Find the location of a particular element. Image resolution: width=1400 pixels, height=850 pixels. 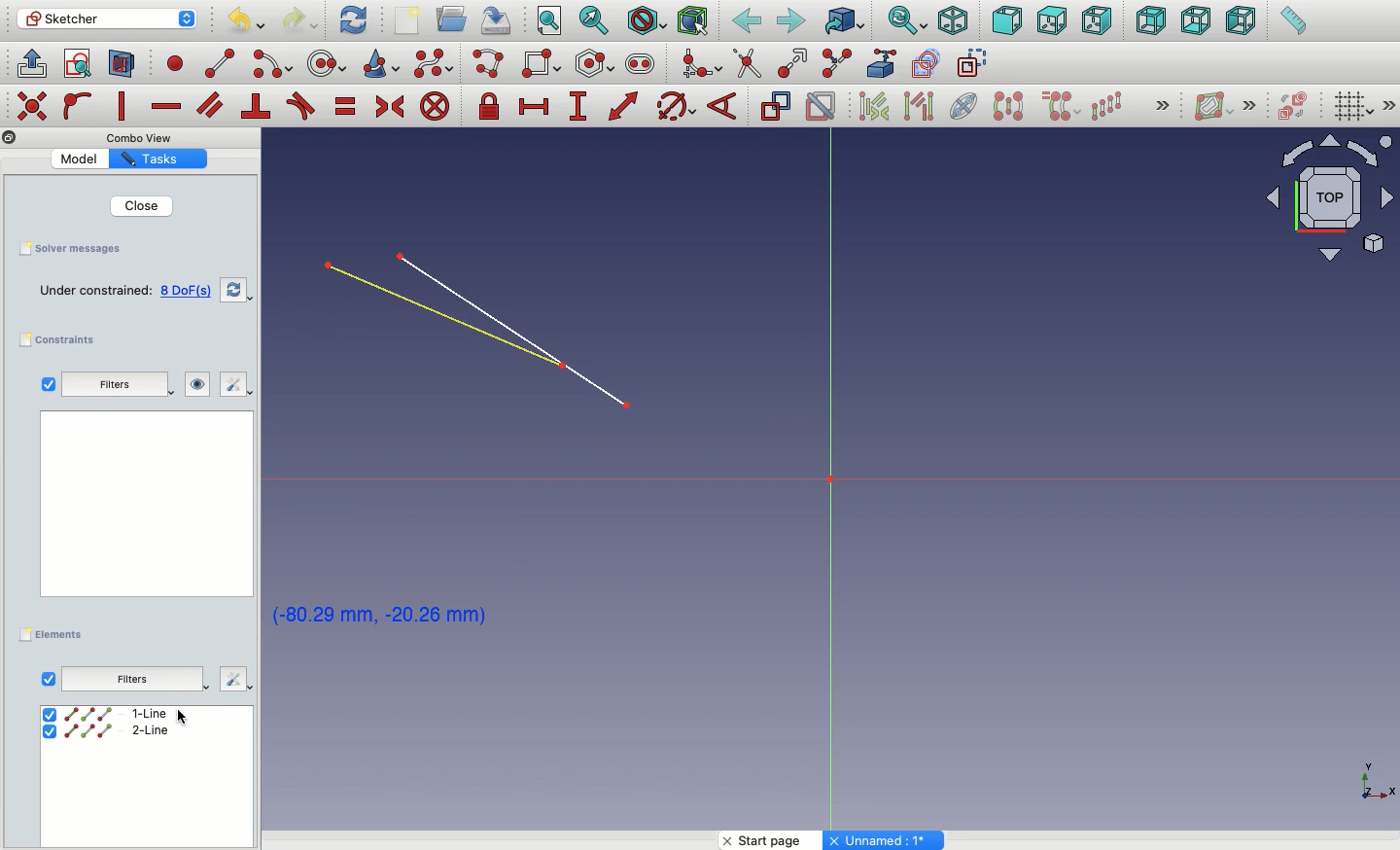

Close is located at coordinates (144, 206).